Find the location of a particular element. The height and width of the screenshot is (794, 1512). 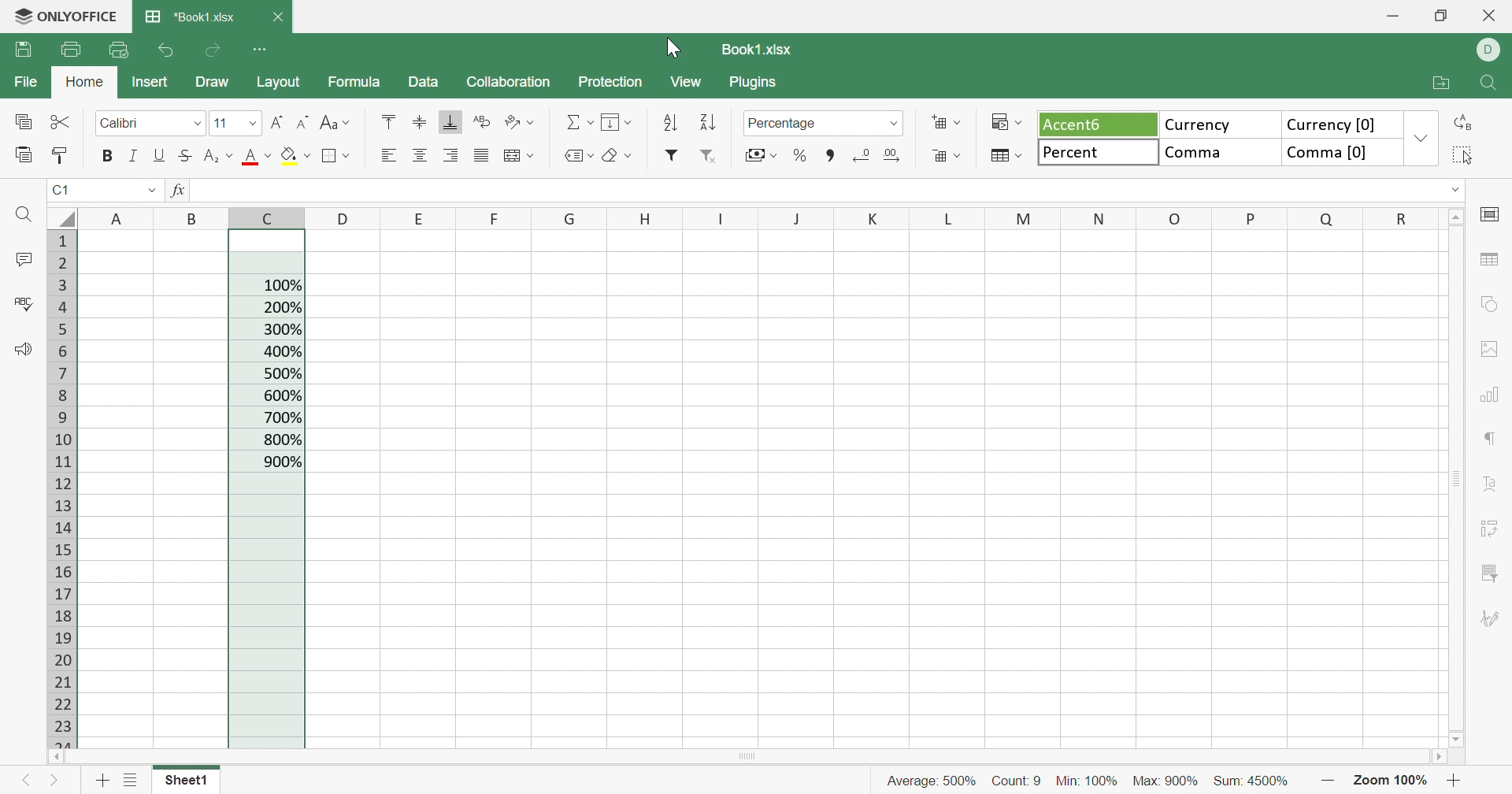

Accent6 is located at coordinates (1094, 125).